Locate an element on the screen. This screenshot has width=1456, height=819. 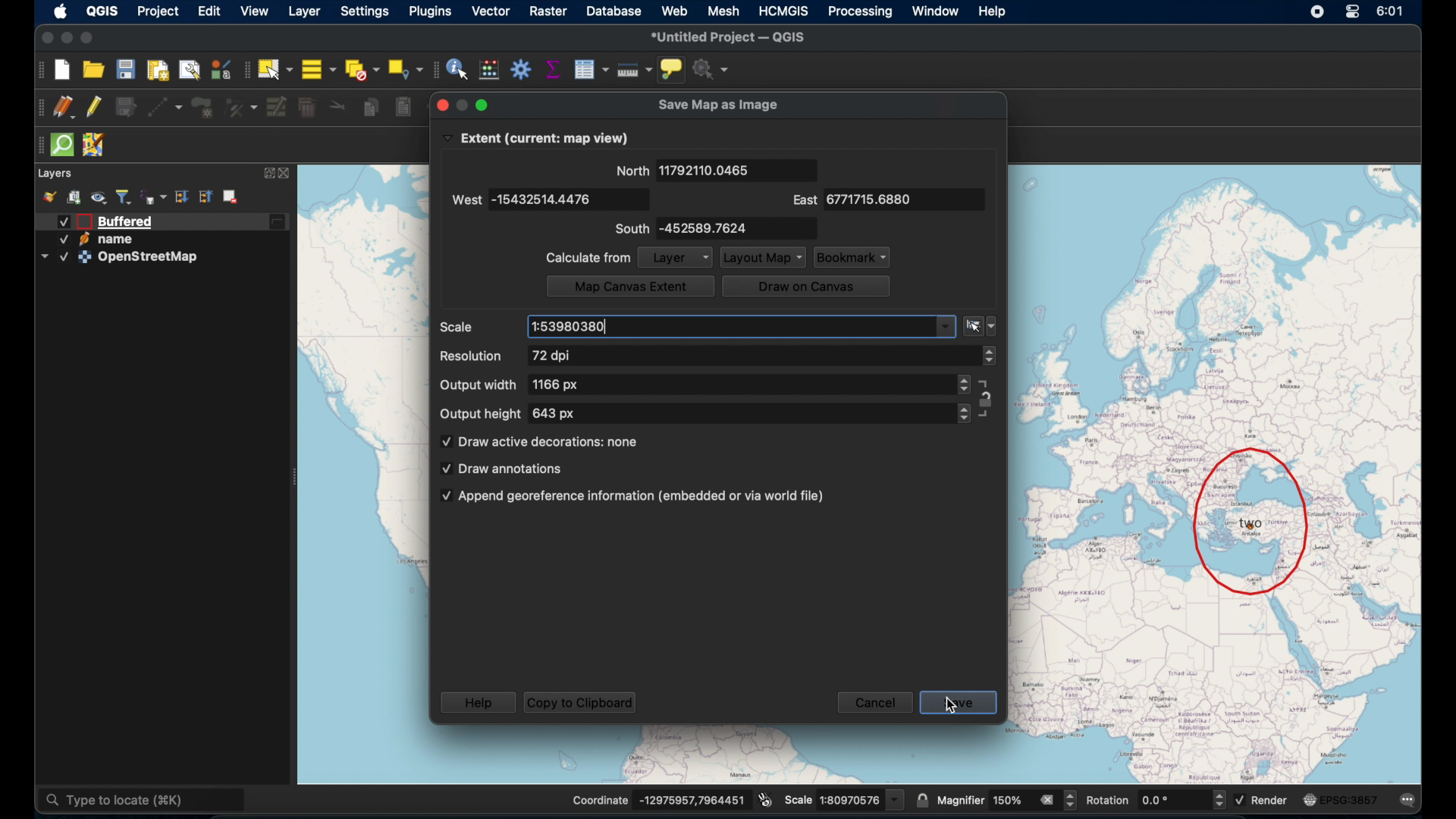
output height is located at coordinates (479, 414).